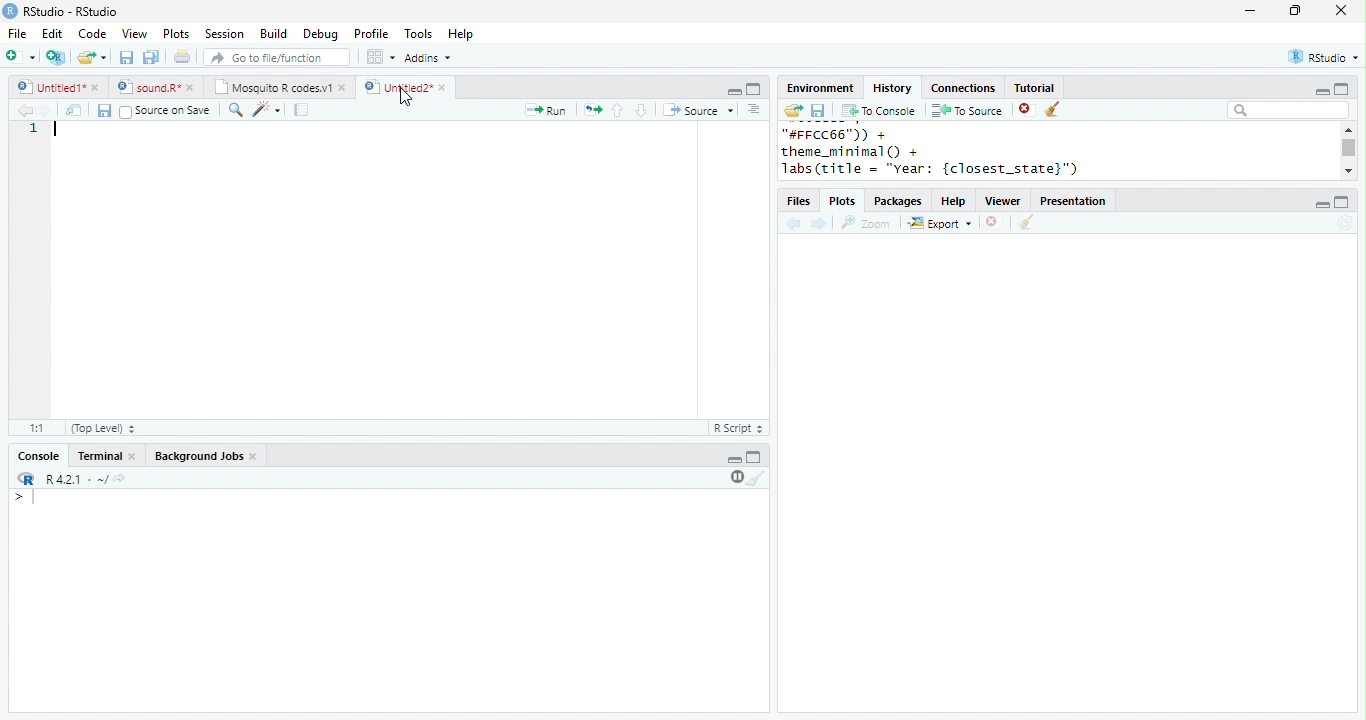  What do you see at coordinates (71, 11) in the screenshot?
I see `RStudio-RStudio` at bounding box center [71, 11].